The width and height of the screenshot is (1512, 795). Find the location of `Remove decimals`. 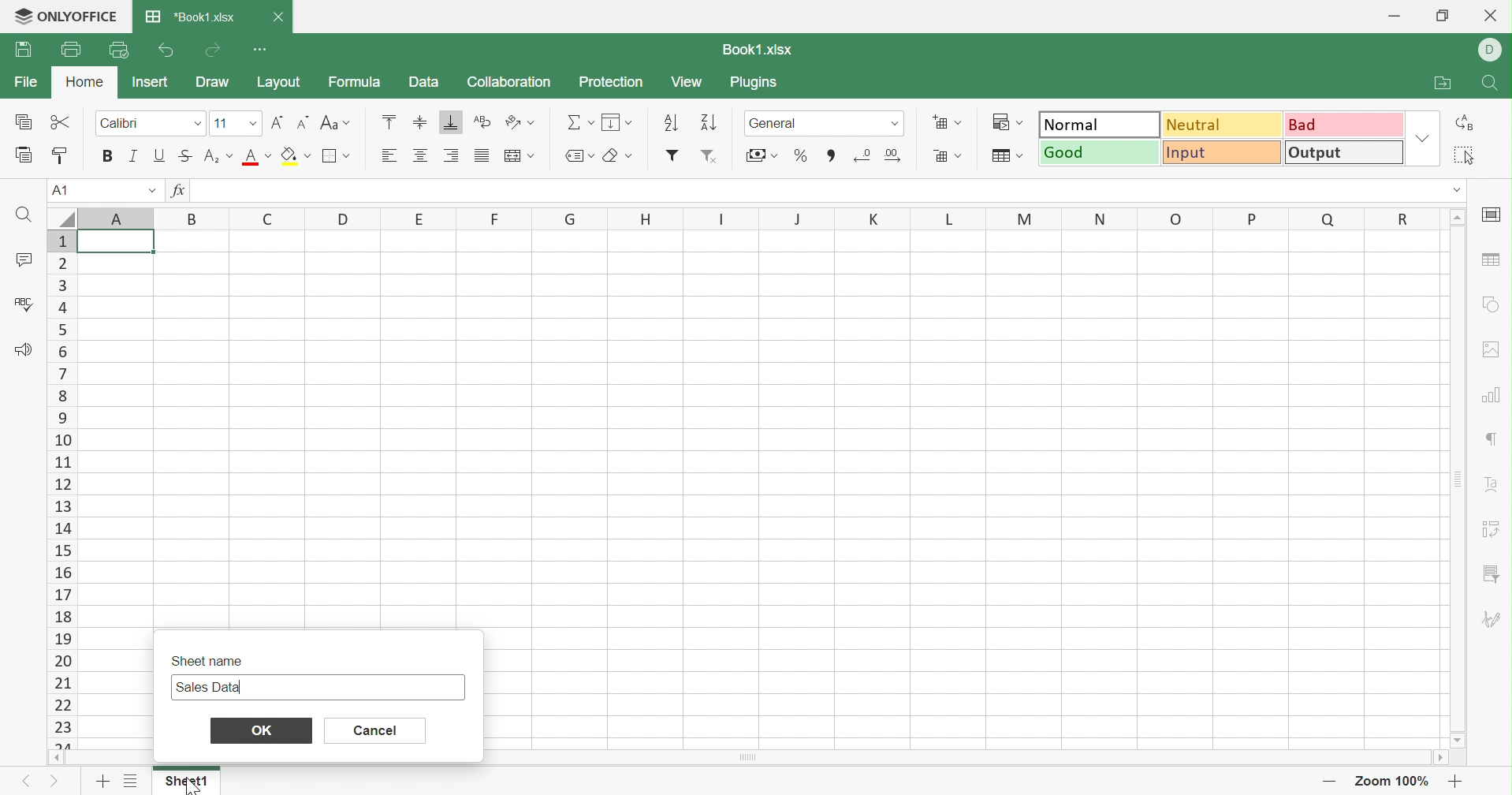

Remove decimals is located at coordinates (894, 155).